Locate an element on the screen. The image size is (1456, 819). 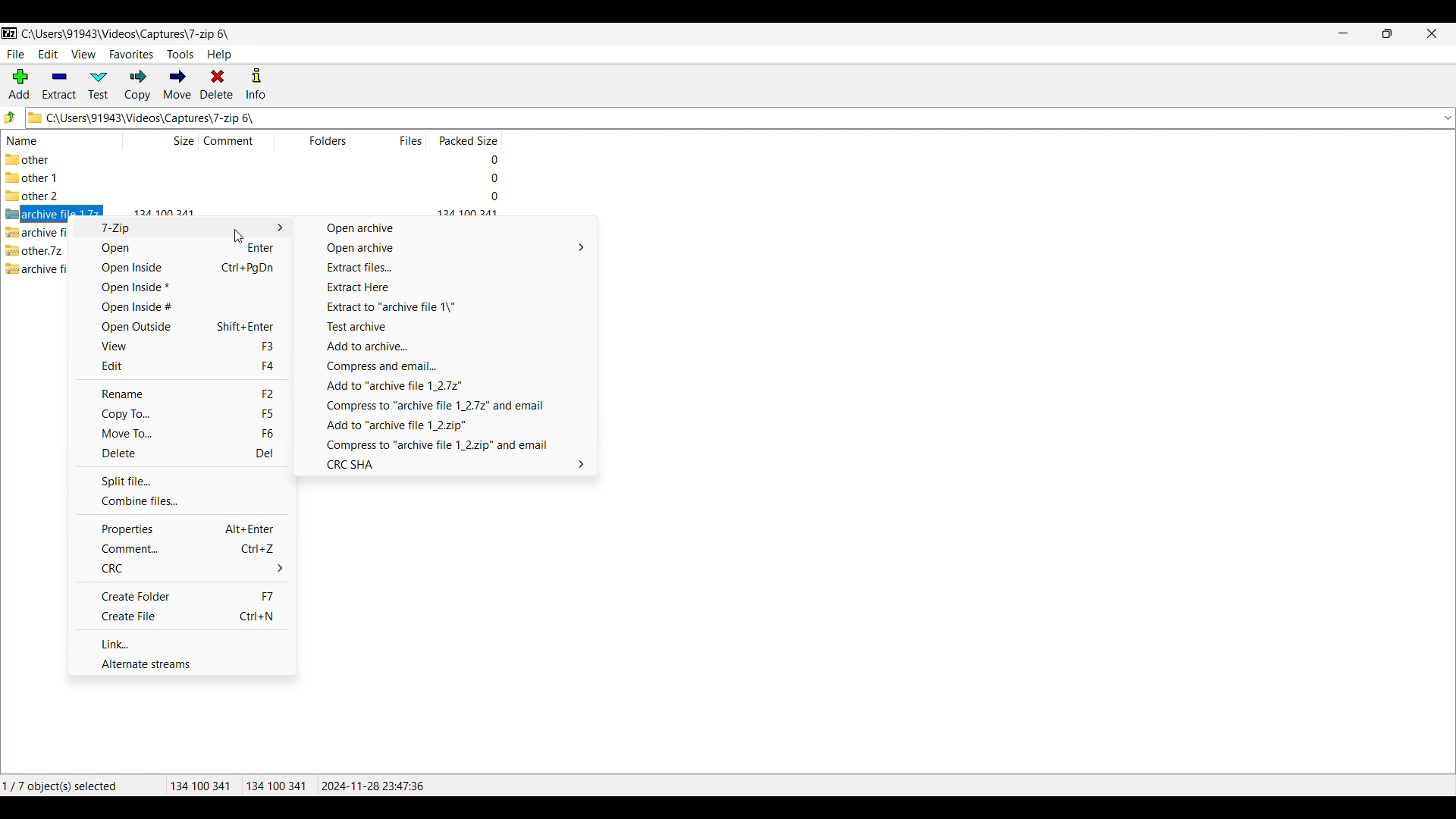
Info is located at coordinates (256, 83).